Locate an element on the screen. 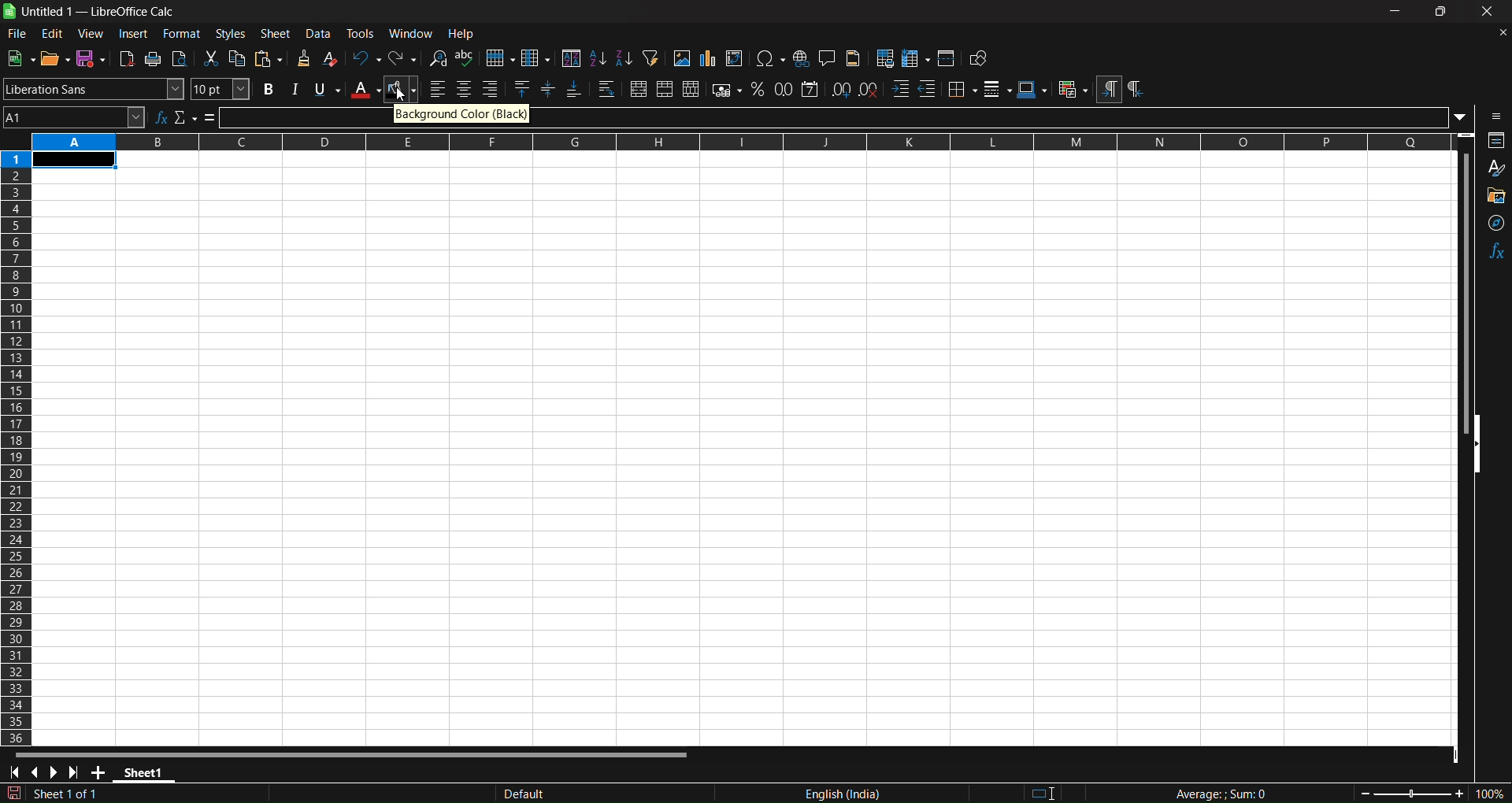 The width and height of the screenshot is (1512, 803). styles is located at coordinates (232, 35).